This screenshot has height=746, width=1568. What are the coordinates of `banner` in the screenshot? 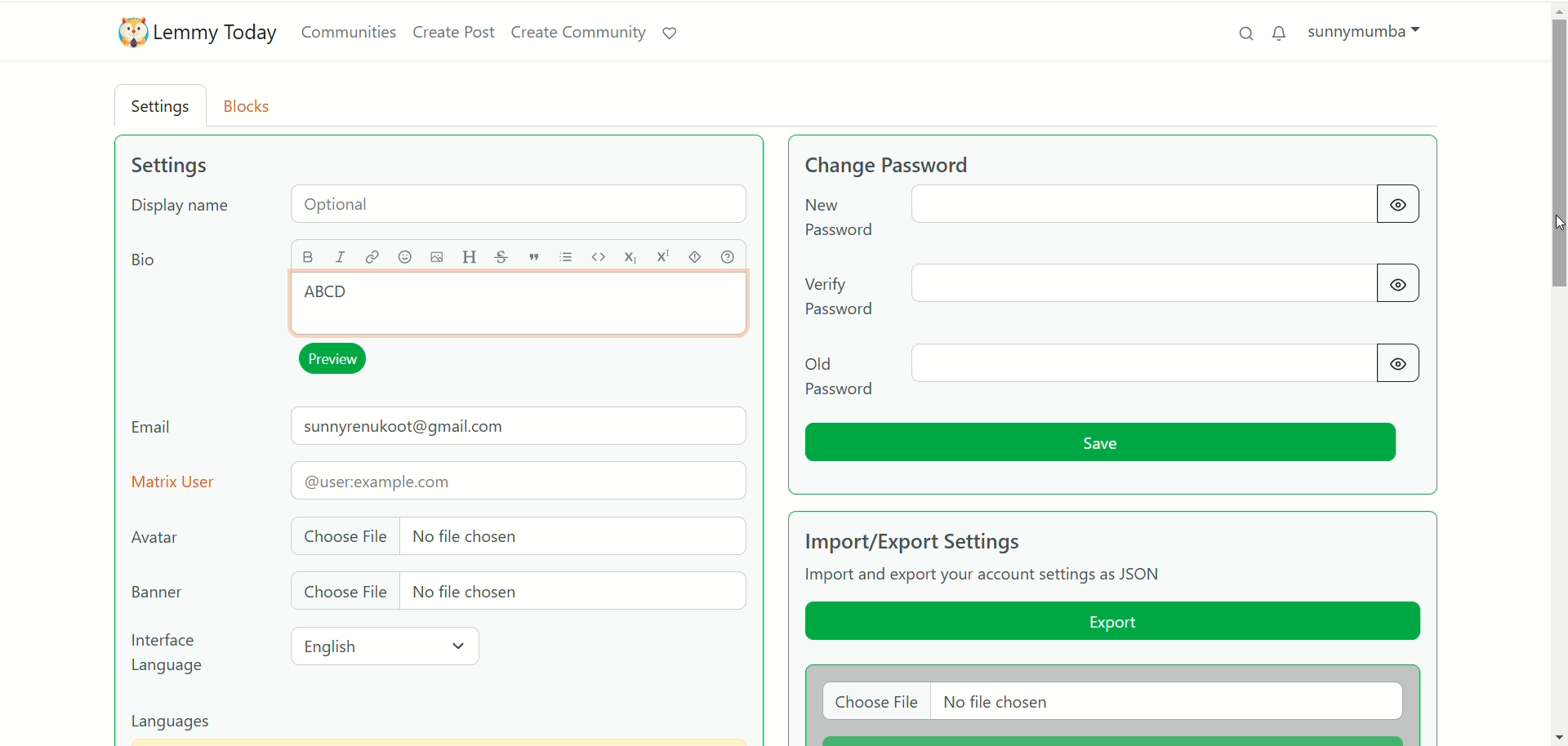 It's located at (154, 593).